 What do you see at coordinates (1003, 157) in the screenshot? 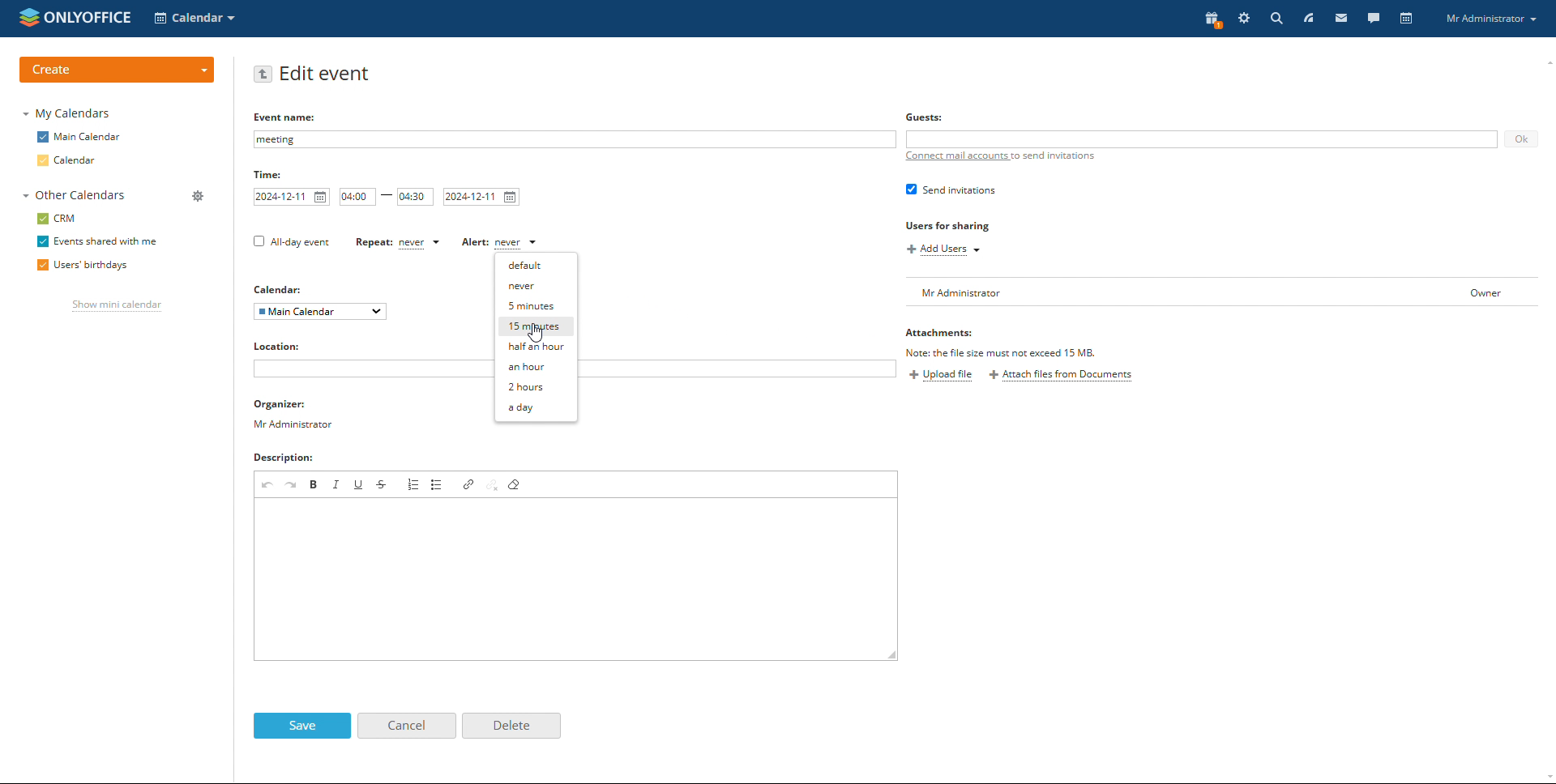
I see `connect mail accounts` at bounding box center [1003, 157].